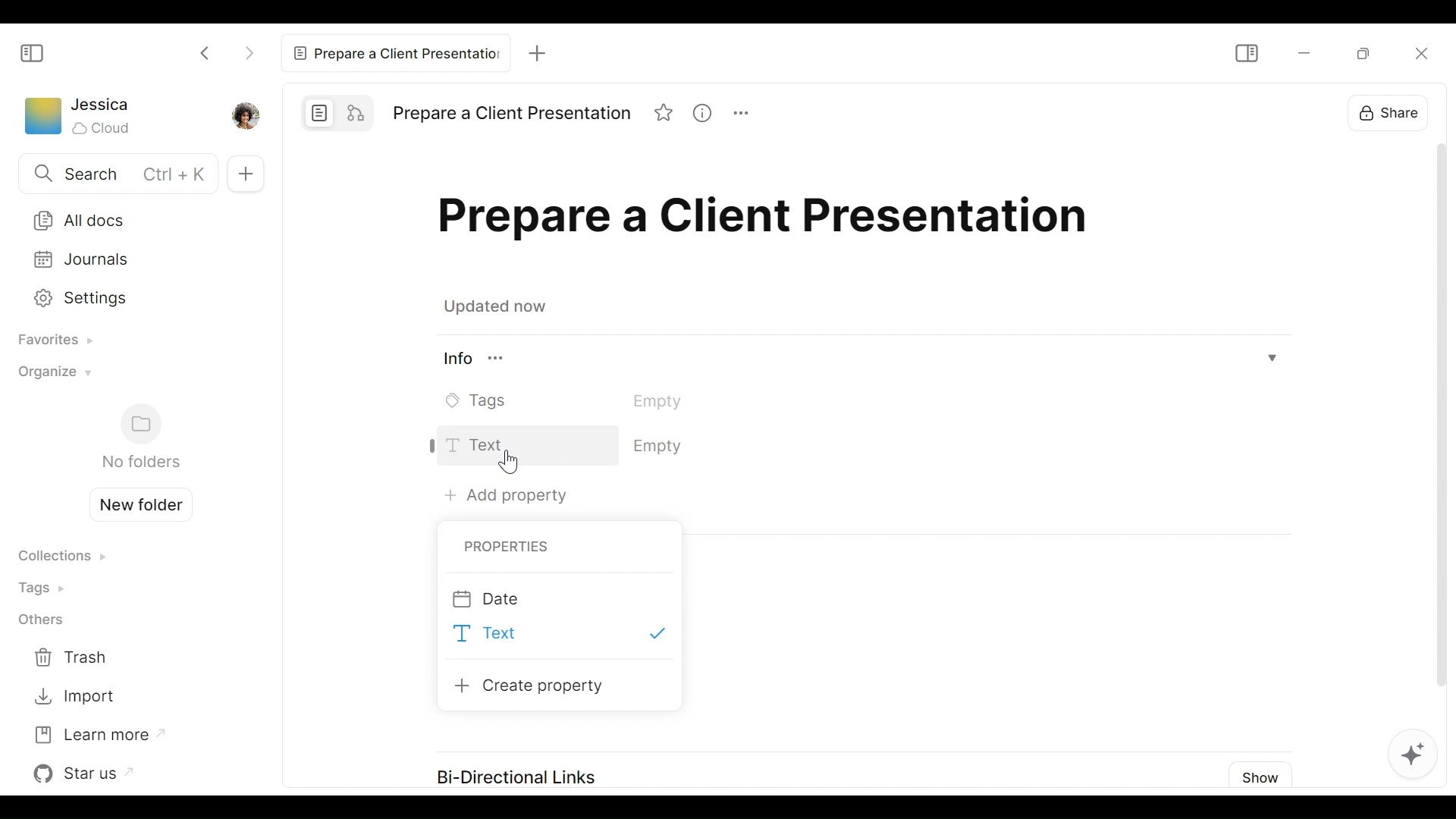 Image resolution: width=1456 pixels, height=819 pixels. I want to click on More, so click(748, 115).